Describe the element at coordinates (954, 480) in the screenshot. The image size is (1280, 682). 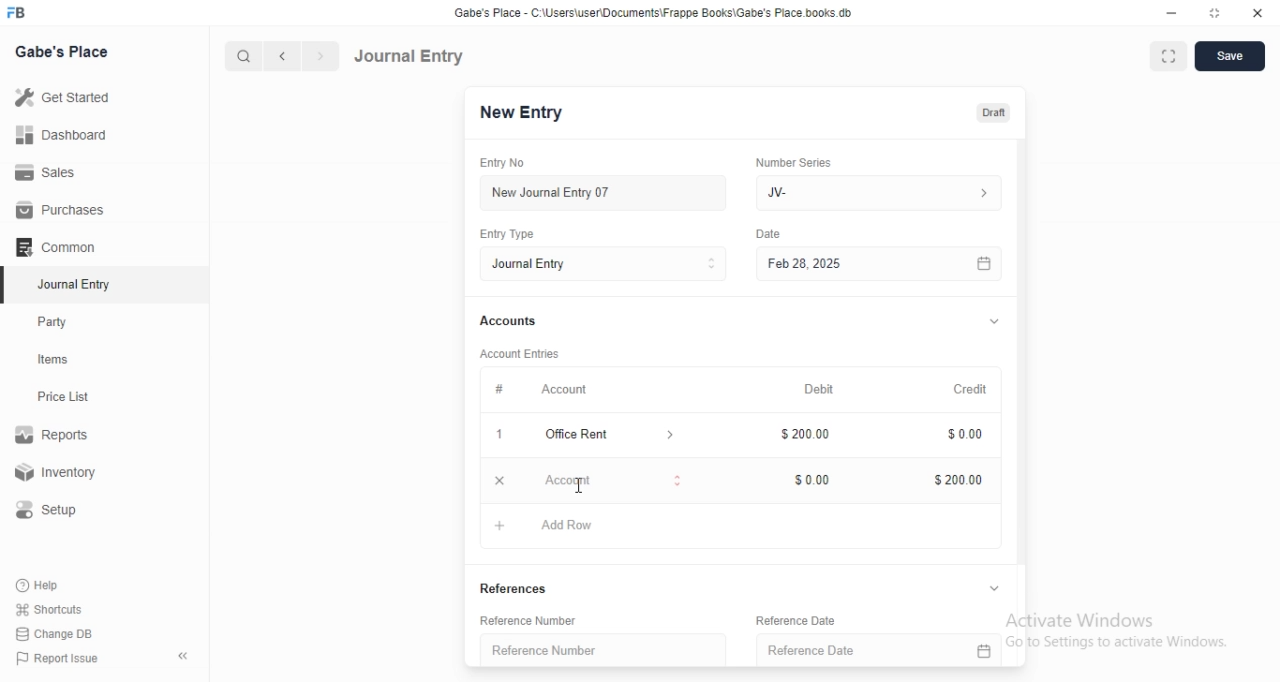
I see `$200.00` at that location.